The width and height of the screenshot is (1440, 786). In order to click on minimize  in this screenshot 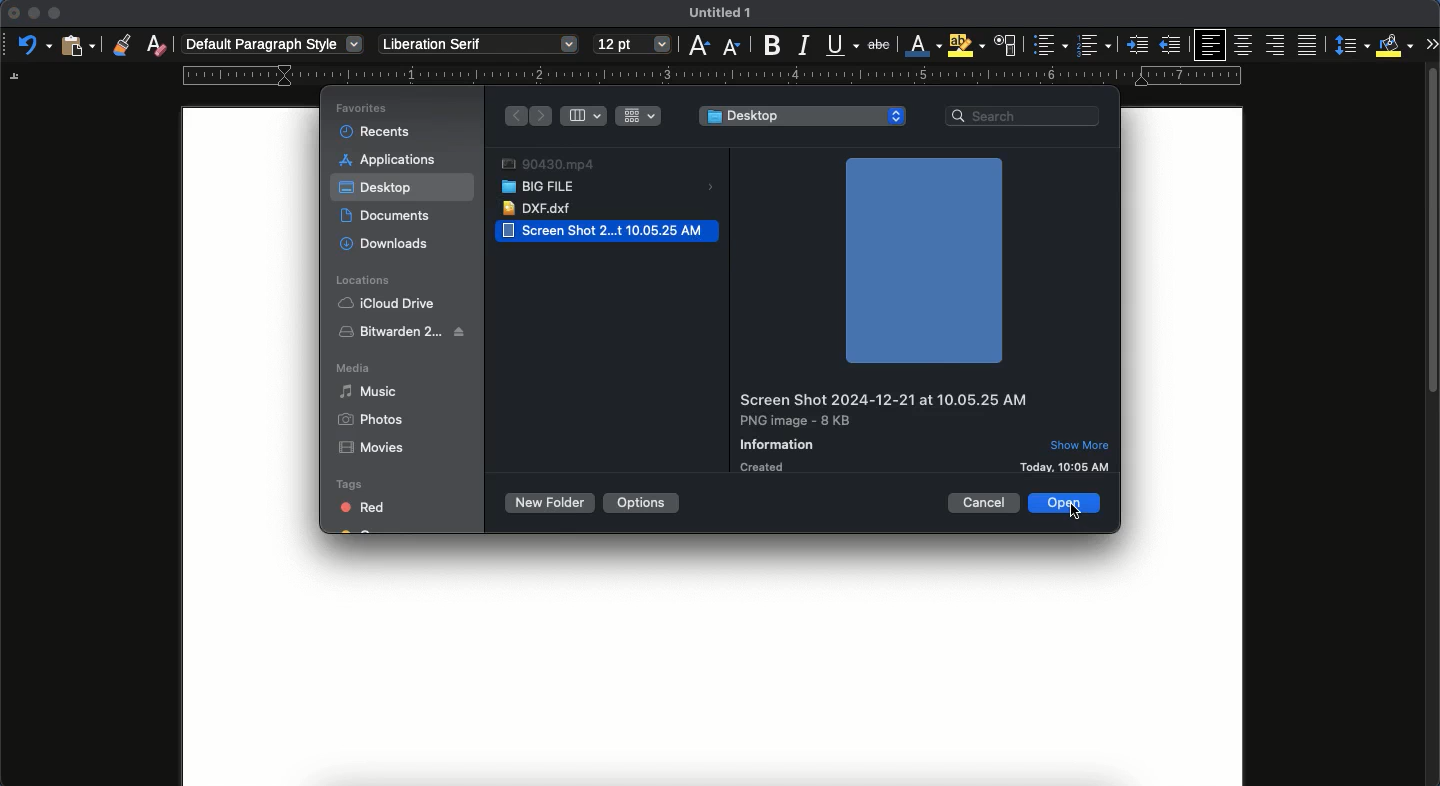, I will do `click(34, 13)`.